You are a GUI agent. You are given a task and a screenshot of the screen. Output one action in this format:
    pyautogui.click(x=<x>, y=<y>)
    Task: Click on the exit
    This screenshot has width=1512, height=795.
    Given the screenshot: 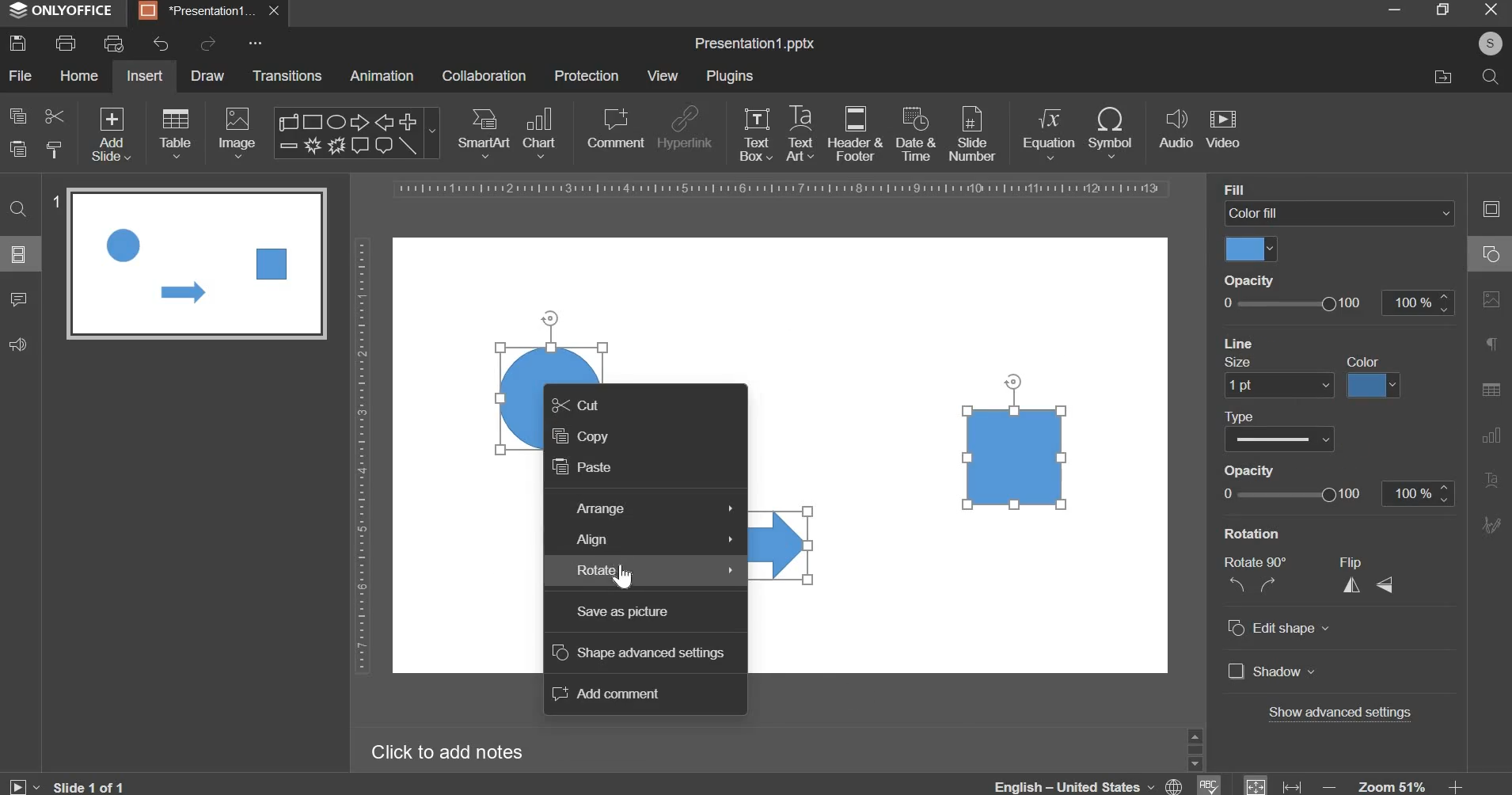 What is the action you would take?
    pyautogui.click(x=1491, y=8)
    